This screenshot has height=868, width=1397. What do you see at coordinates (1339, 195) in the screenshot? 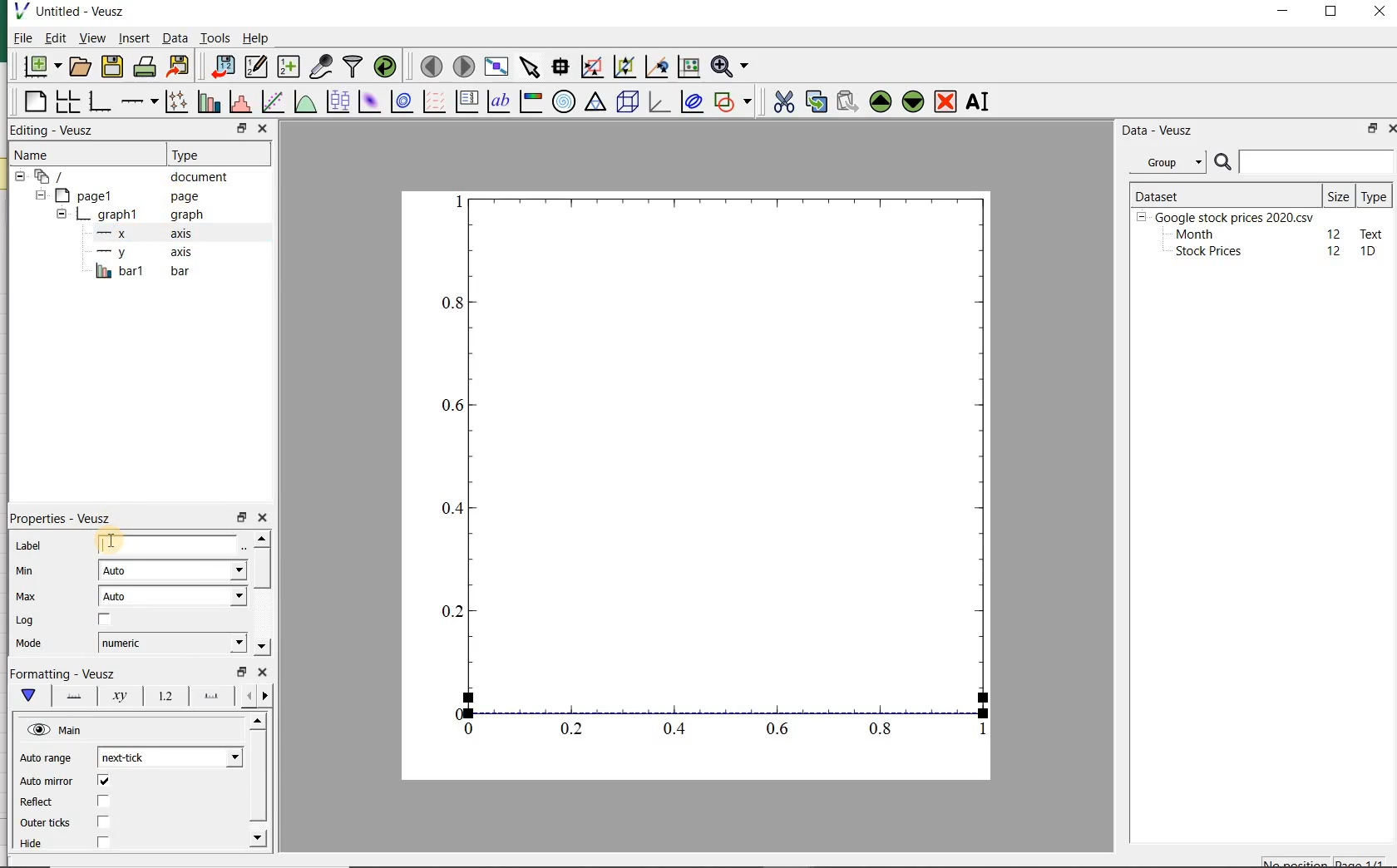
I see `Size` at bounding box center [1339, 195].